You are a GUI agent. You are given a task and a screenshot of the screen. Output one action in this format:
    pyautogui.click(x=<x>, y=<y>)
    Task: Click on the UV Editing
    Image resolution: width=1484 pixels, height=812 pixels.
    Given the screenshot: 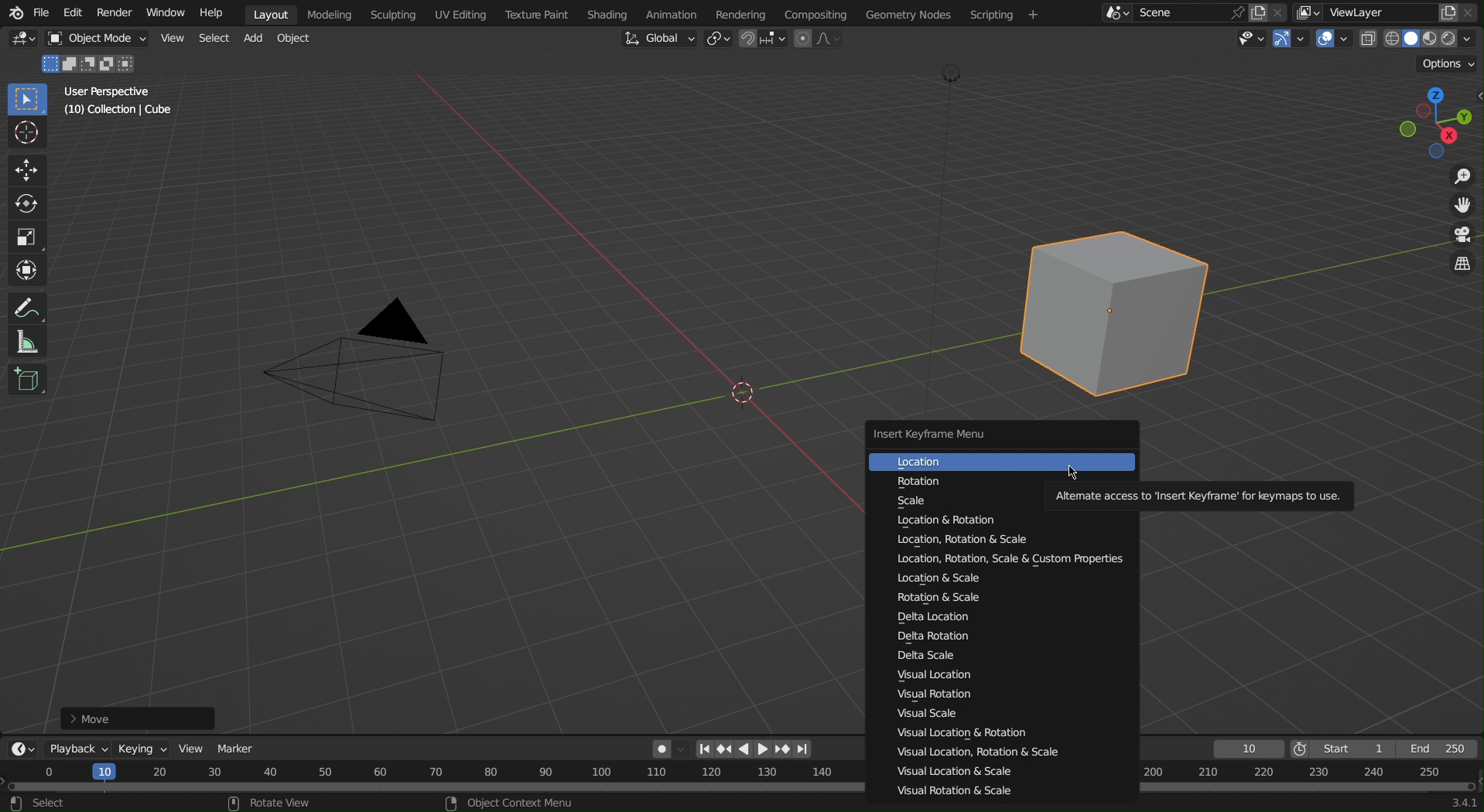 What is the action you would take?
    pyautogui.click(x=460, y=14)
    